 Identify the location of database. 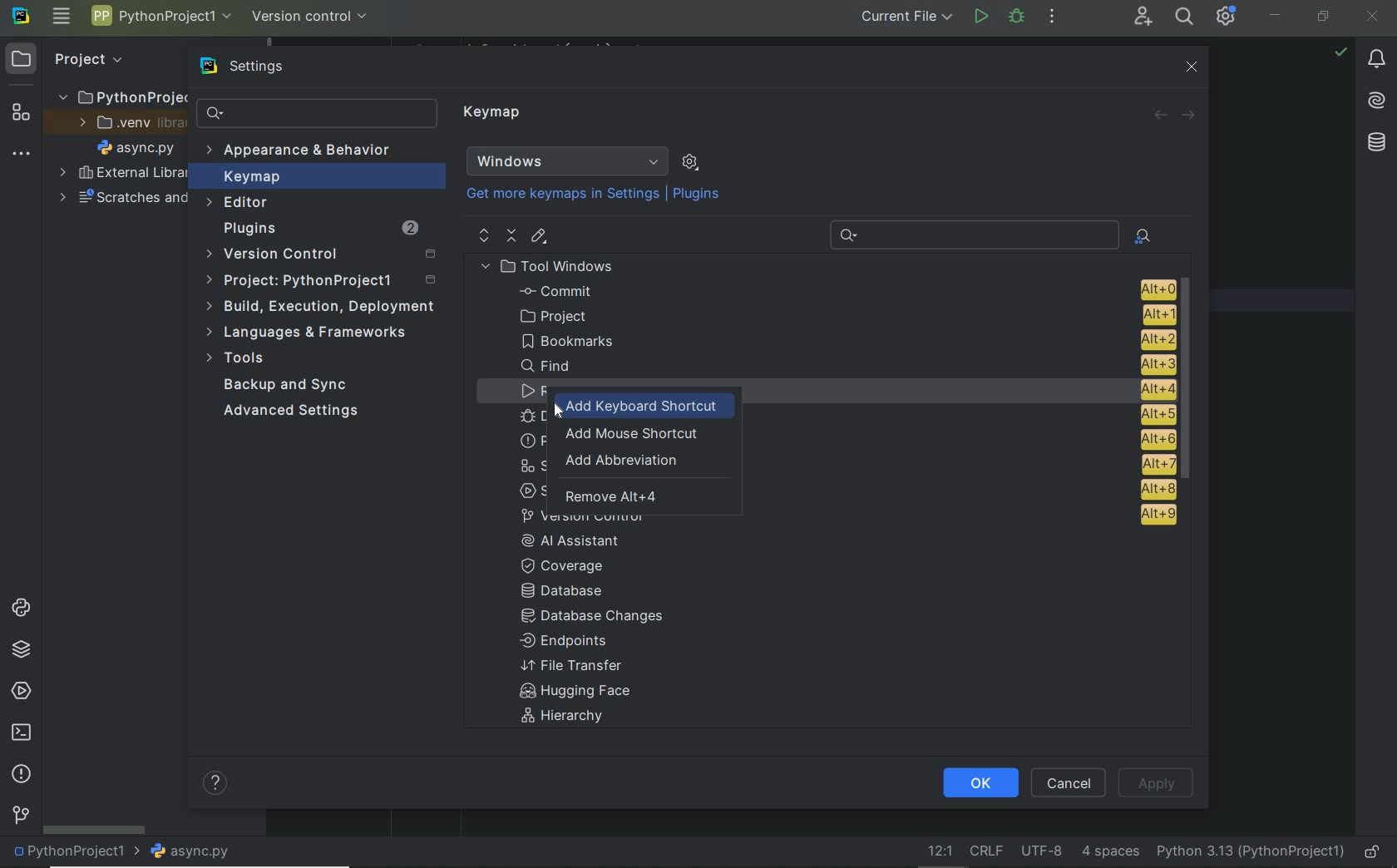
(1375, 142).